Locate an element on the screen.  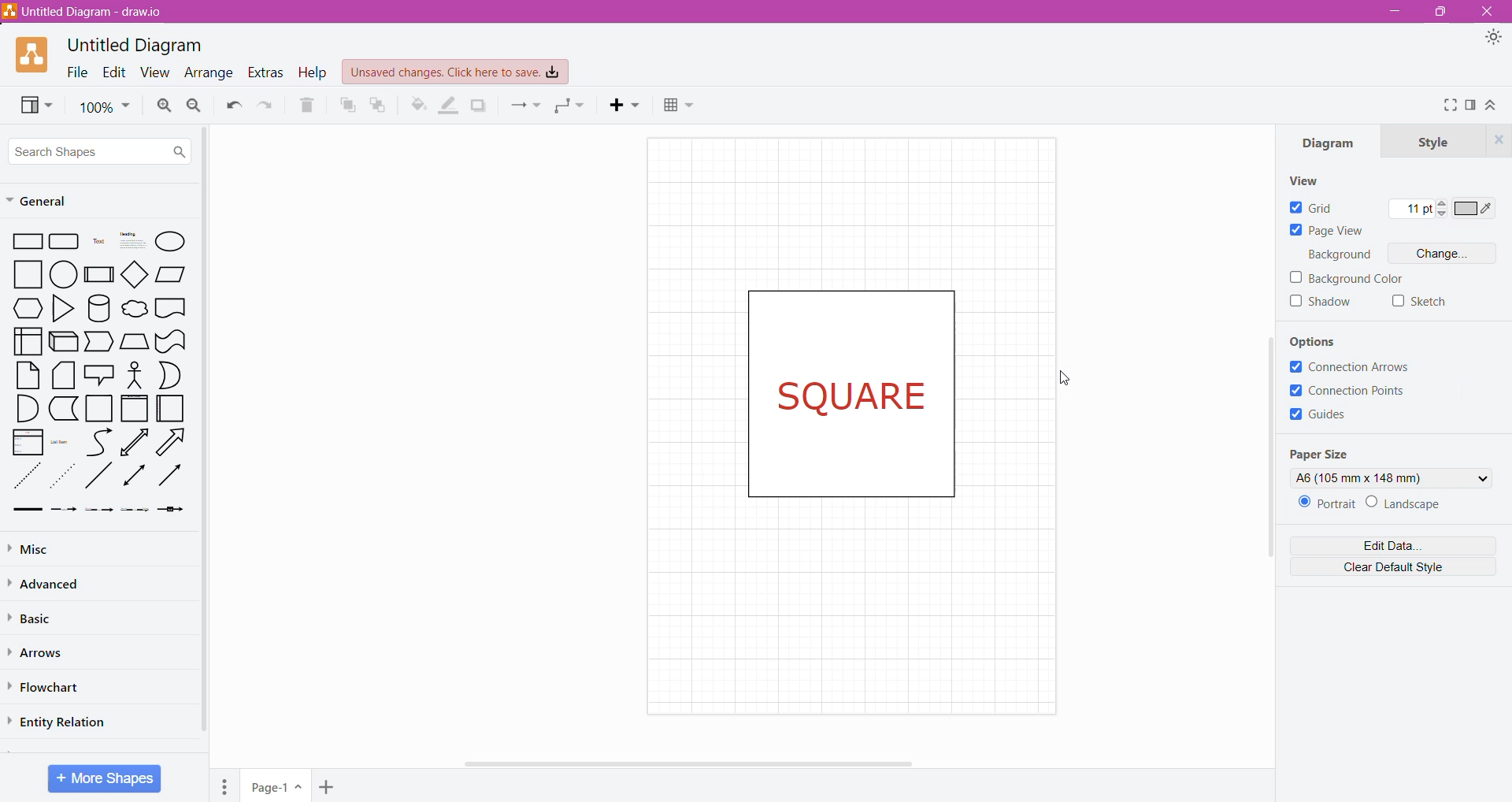
List Item is located at coordinates (63, 441).